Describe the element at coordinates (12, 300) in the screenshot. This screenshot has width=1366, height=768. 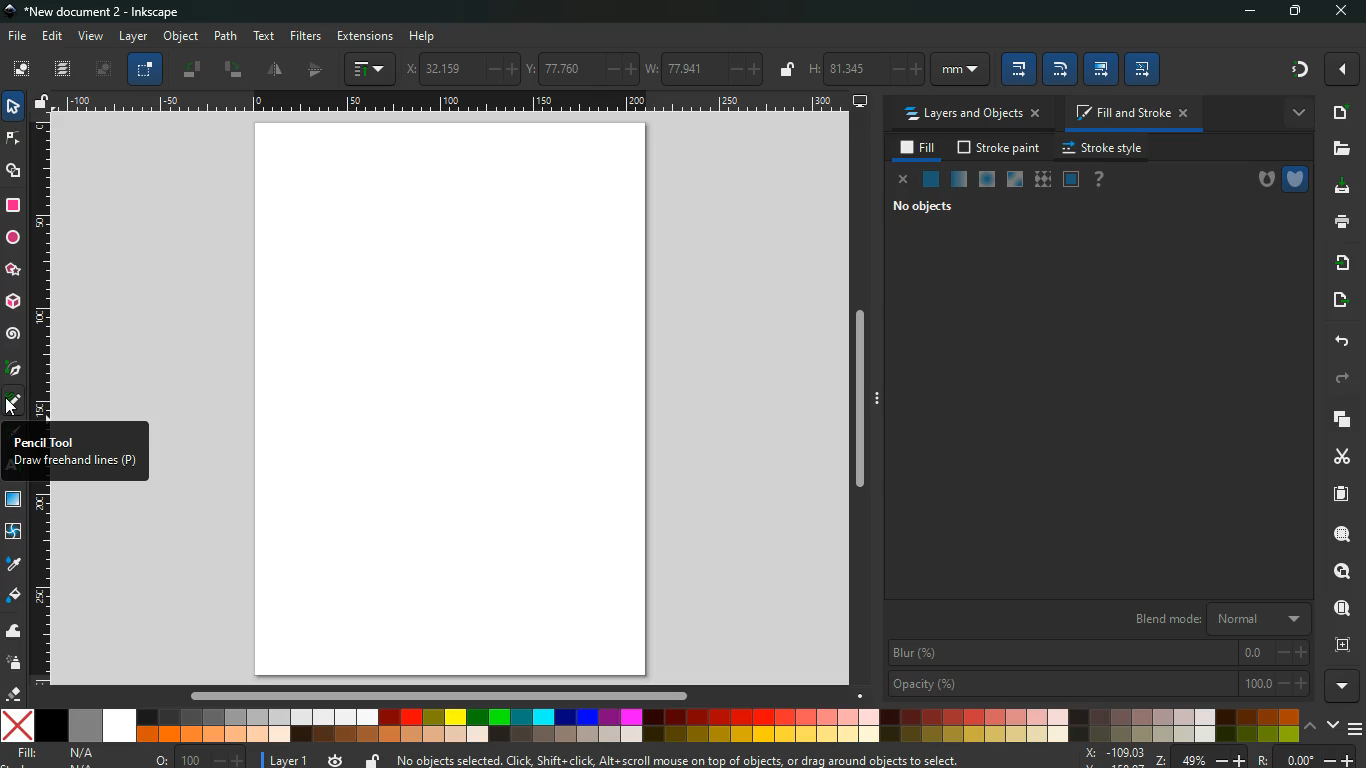
I see `3d tool box` at that location.